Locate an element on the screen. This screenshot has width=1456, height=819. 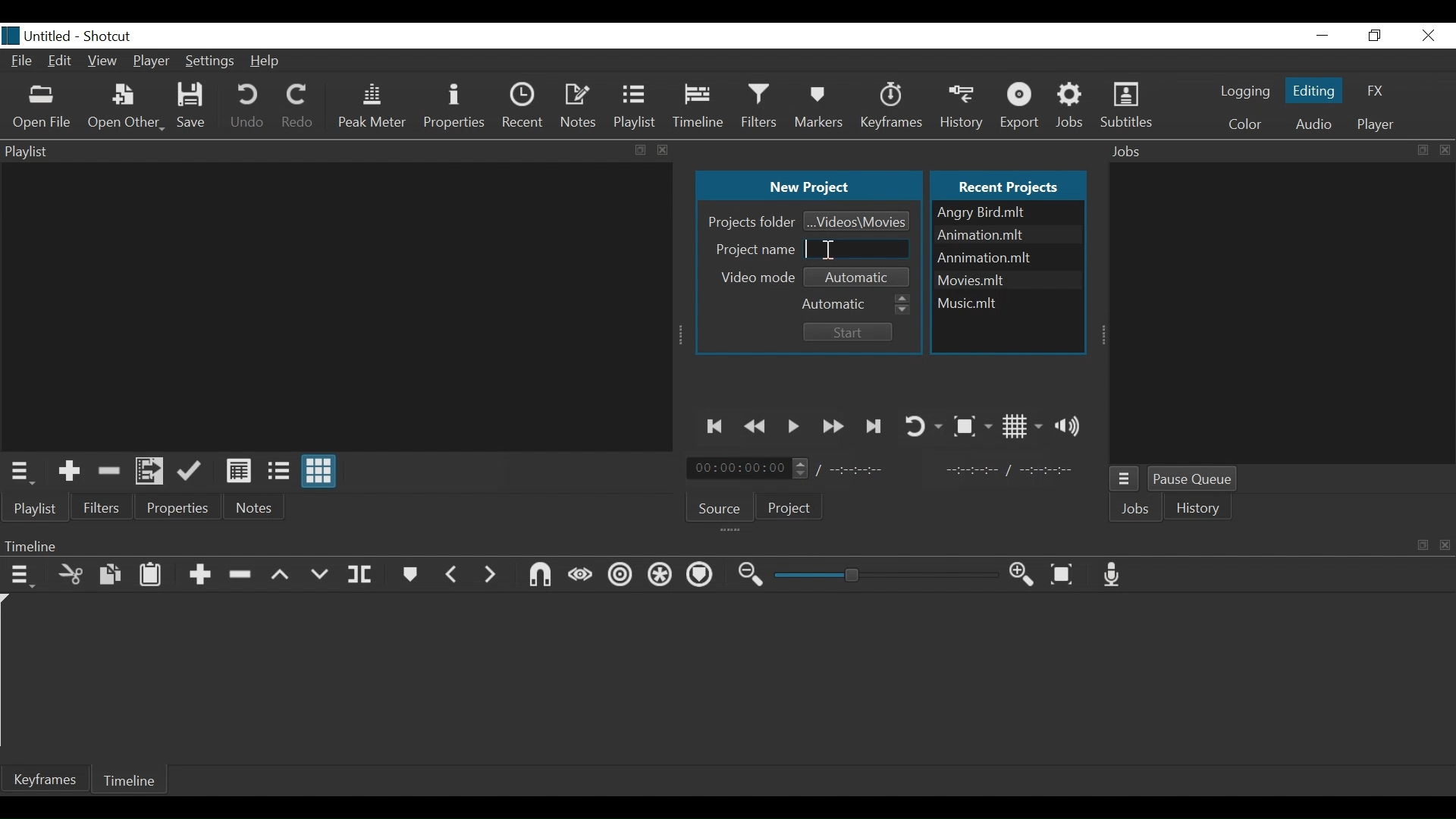
Subtitles is located at coordinates (1126, 106).